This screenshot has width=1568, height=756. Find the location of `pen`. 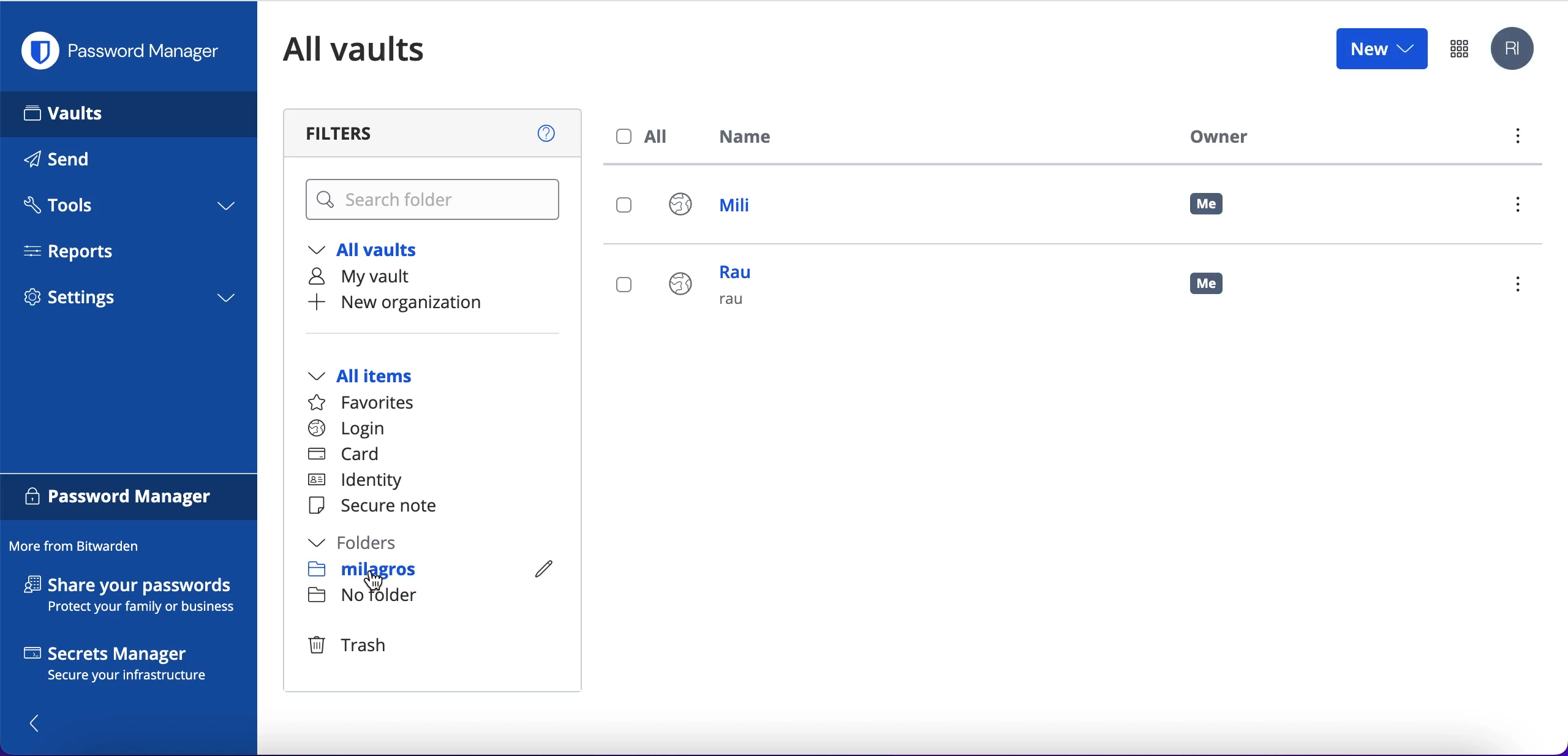

pen is located at coordinates (540, 567).